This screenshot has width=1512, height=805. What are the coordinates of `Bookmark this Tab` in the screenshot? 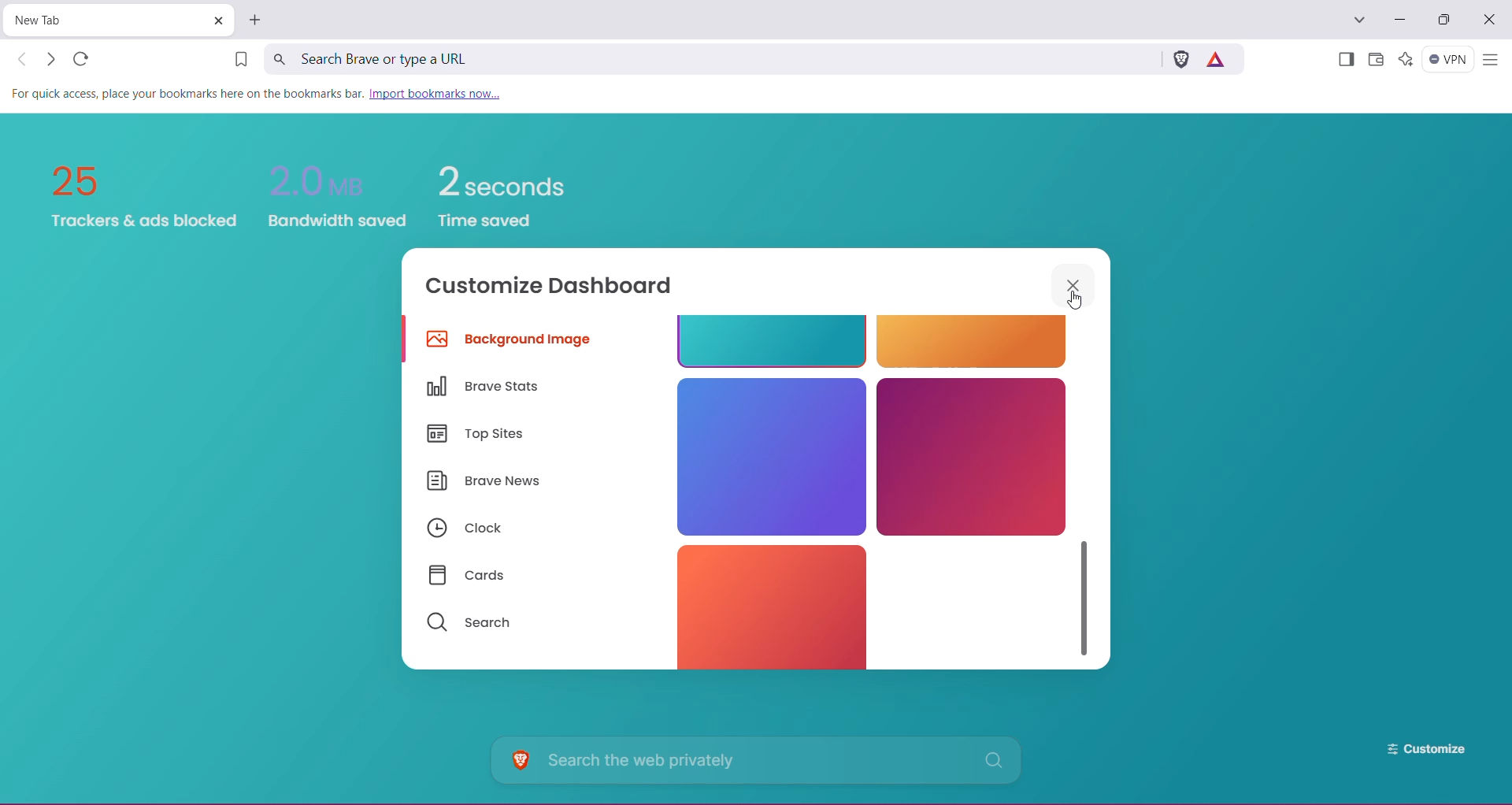 It's located at (235, 61).